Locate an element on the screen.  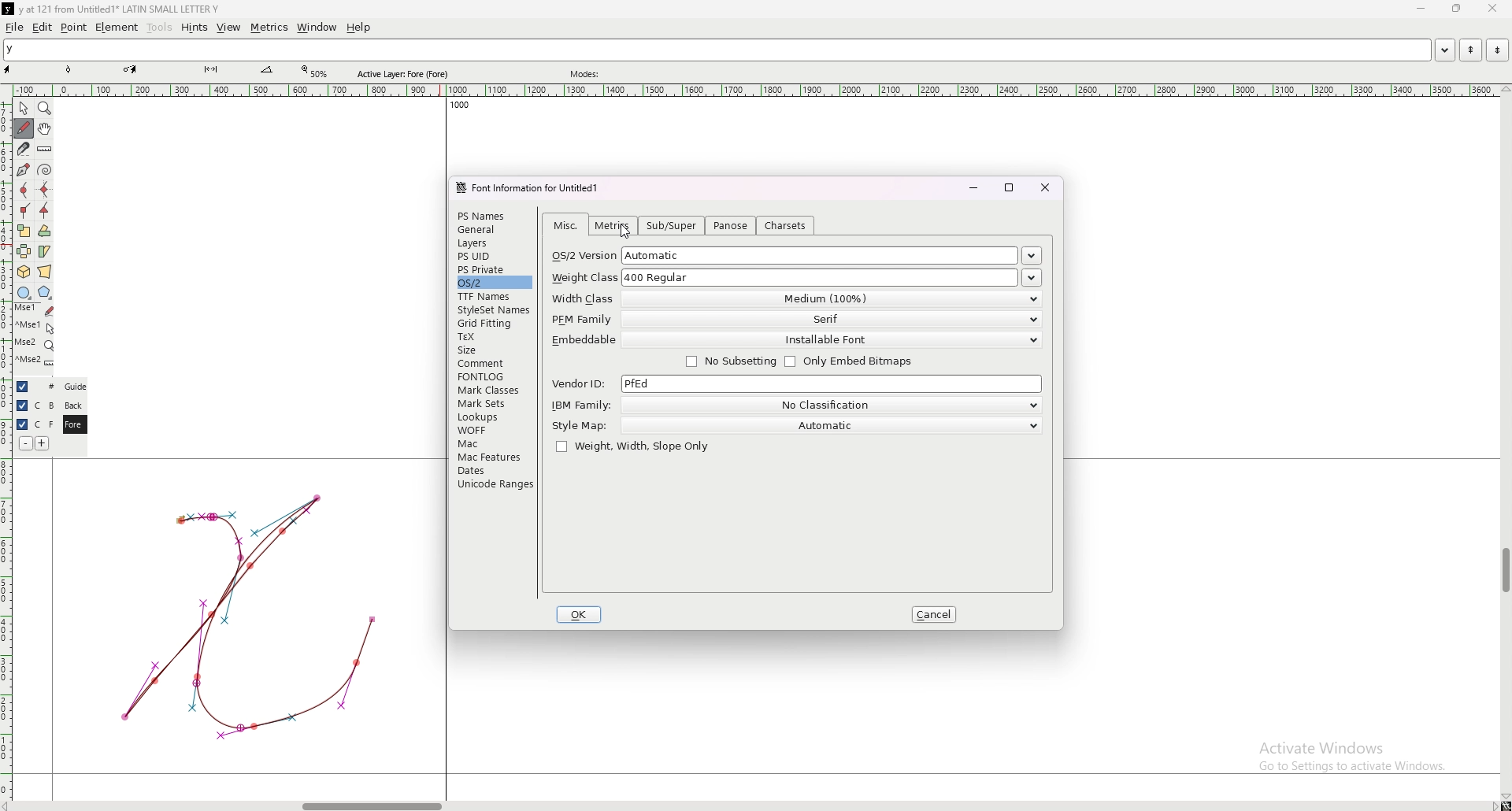
tex is located at coordinates (493, 337).